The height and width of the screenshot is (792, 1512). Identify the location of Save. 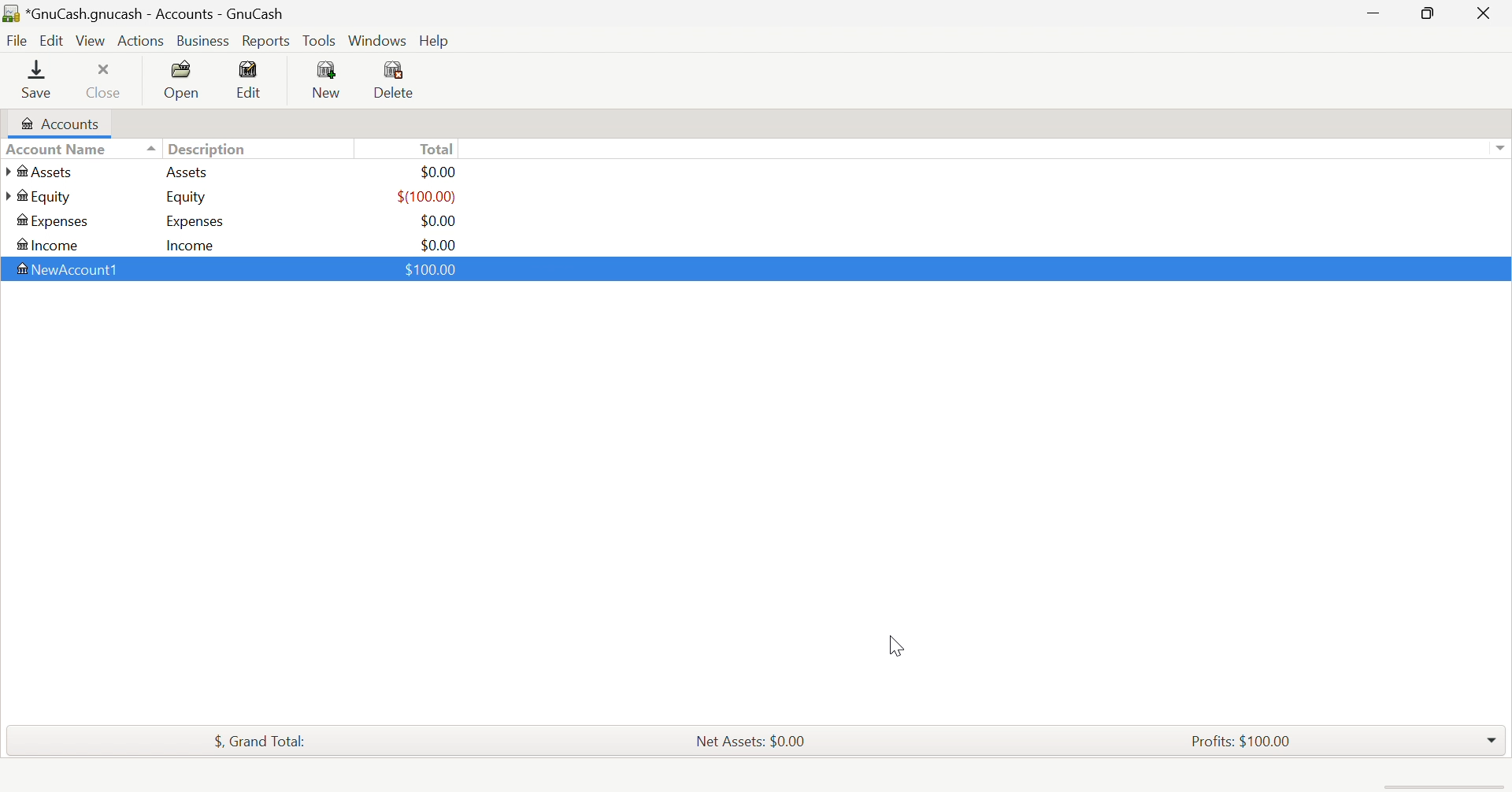
(39, 81).